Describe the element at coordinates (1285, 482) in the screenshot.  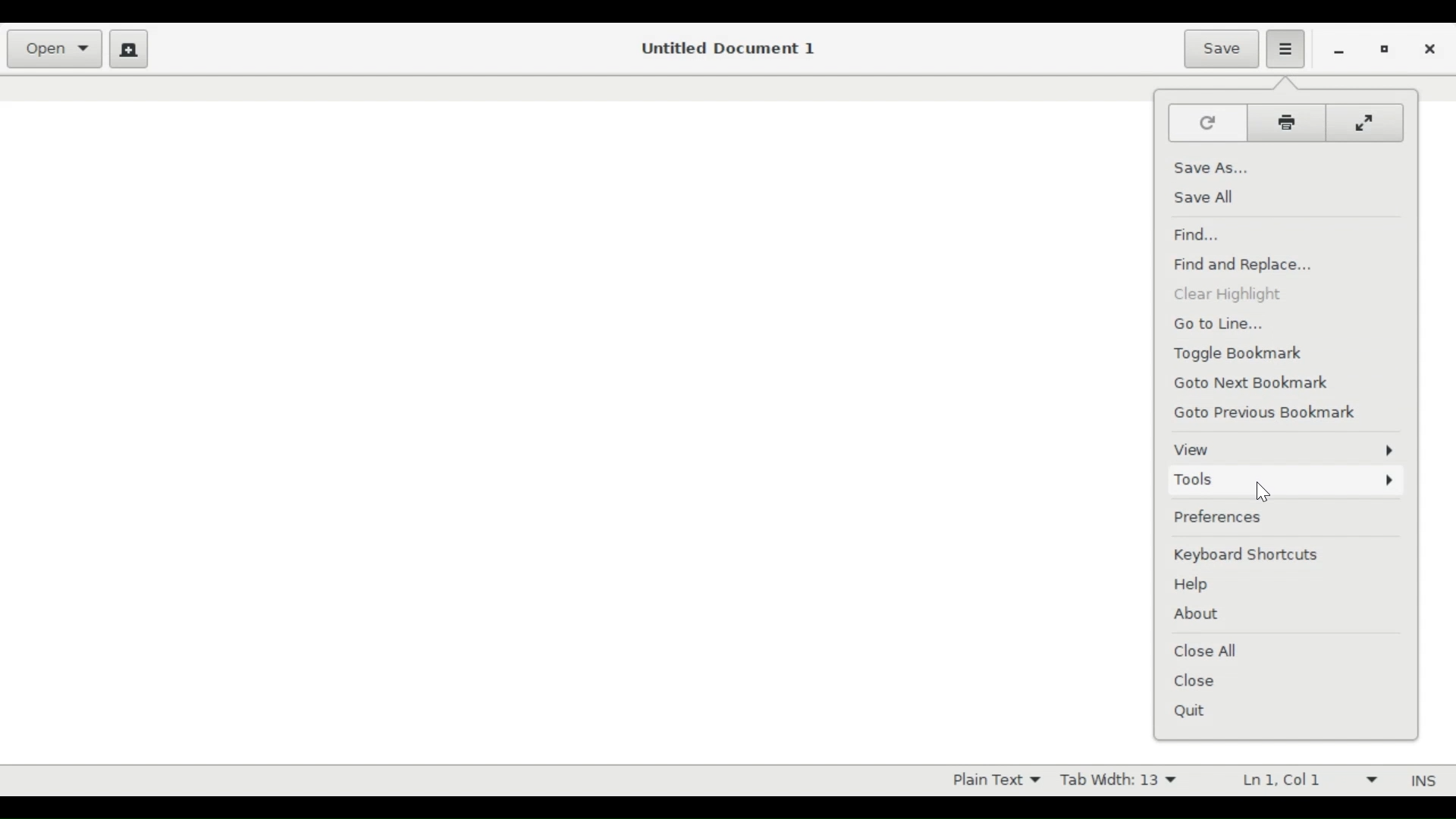
I see `Tools` at that location.